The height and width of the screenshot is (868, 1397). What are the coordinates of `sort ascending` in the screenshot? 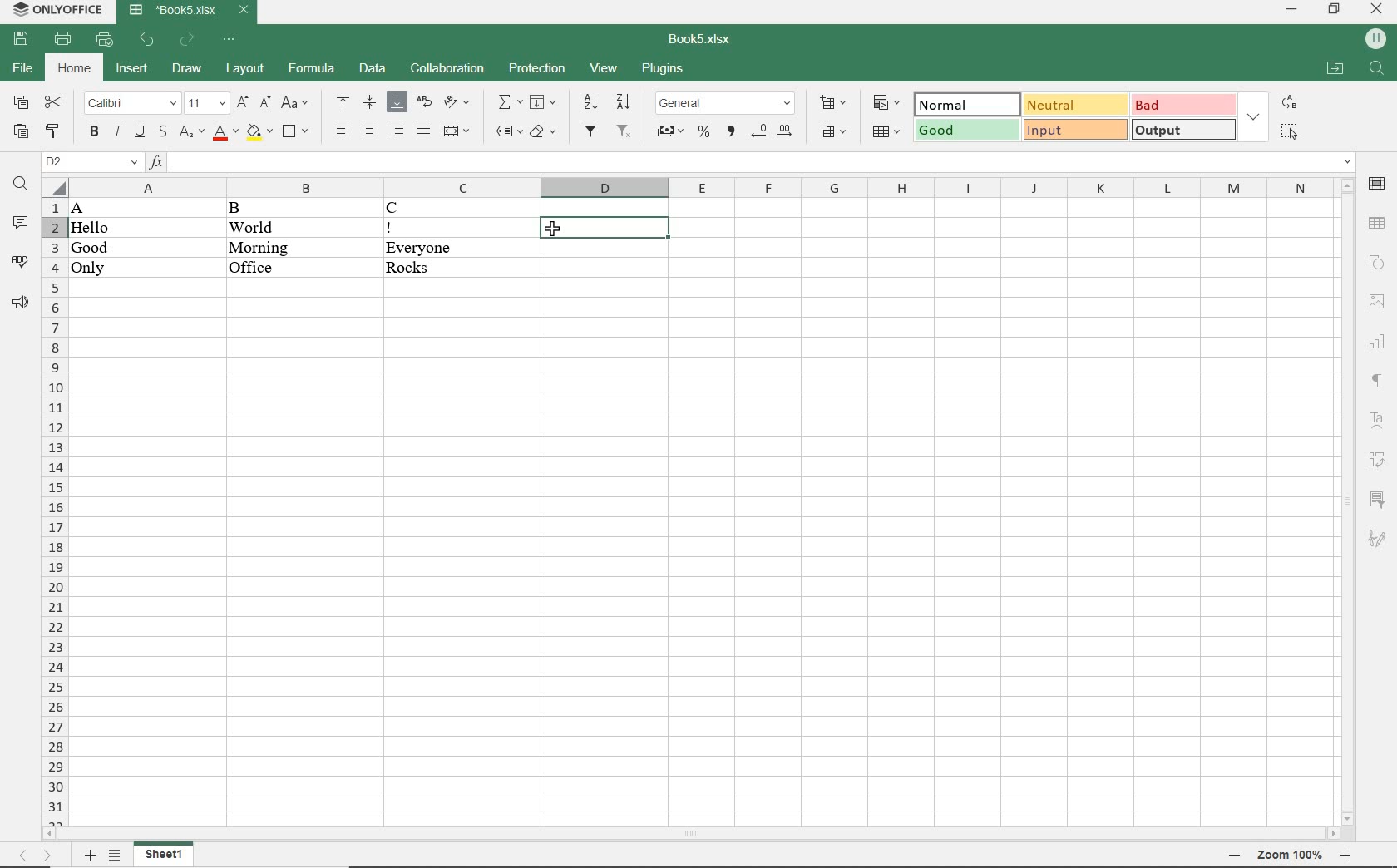 It's located at (590, 103).